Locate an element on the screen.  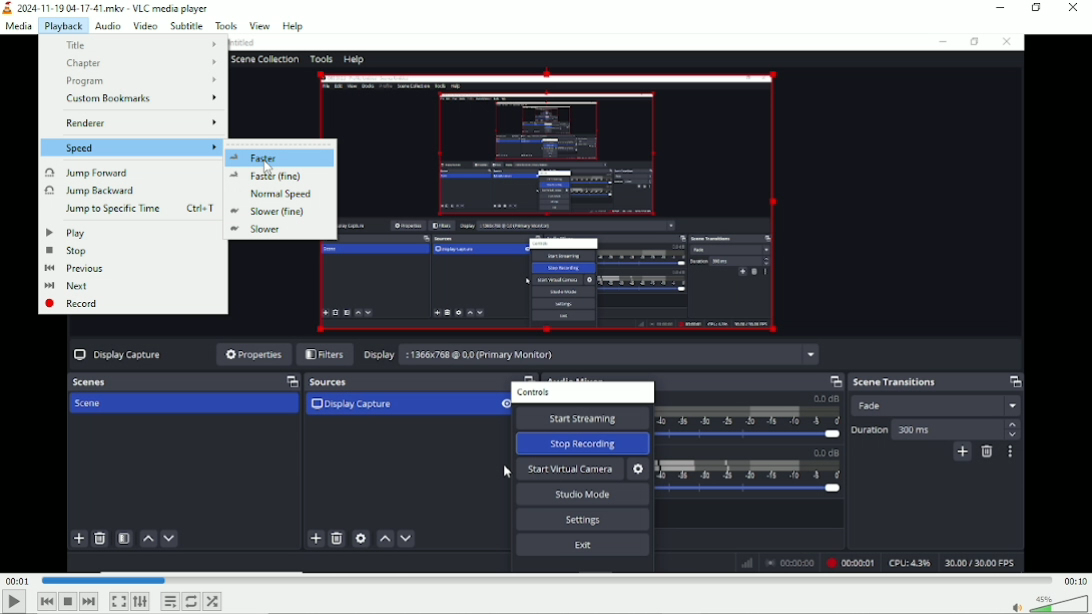
speed  is located at coordinates (132, 147).